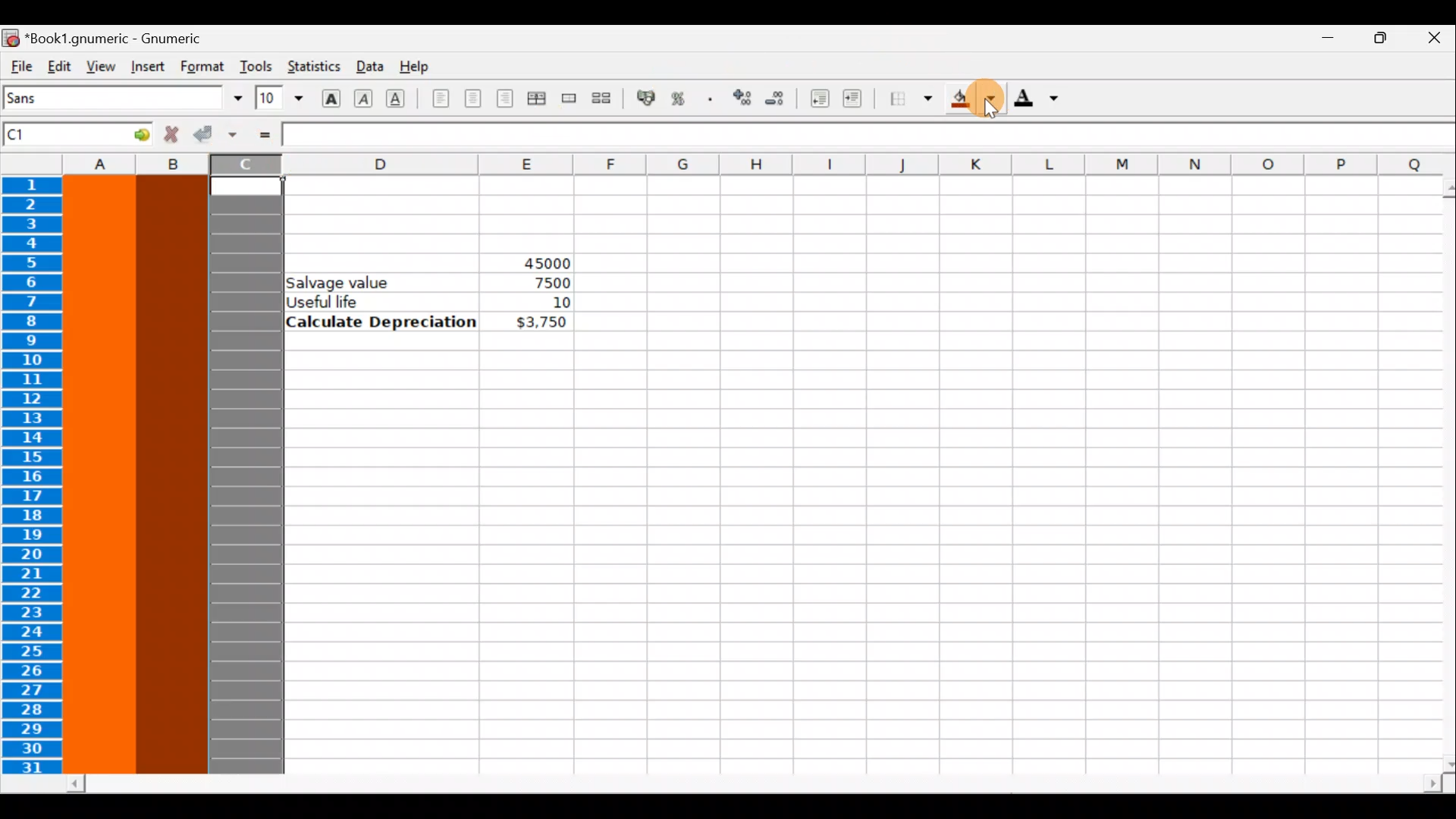 Image resolution: width=1456 pixels, height=819 pixels. Describe the element at coordinates (975, 98) in the screenshot. I see `Background` at that location.